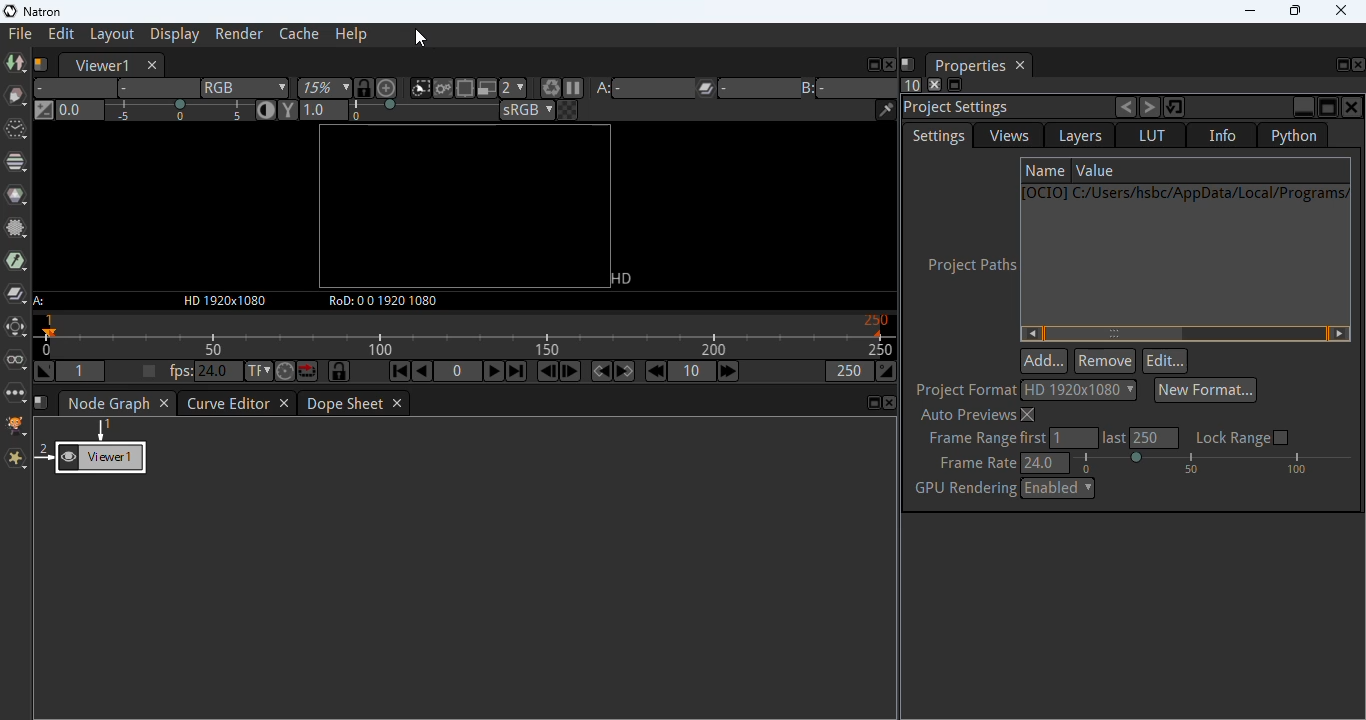 This screenshot has width=1366, height=720. Describe the element at coordinates (218, 372) in the screenshot. I see `24` at that location.